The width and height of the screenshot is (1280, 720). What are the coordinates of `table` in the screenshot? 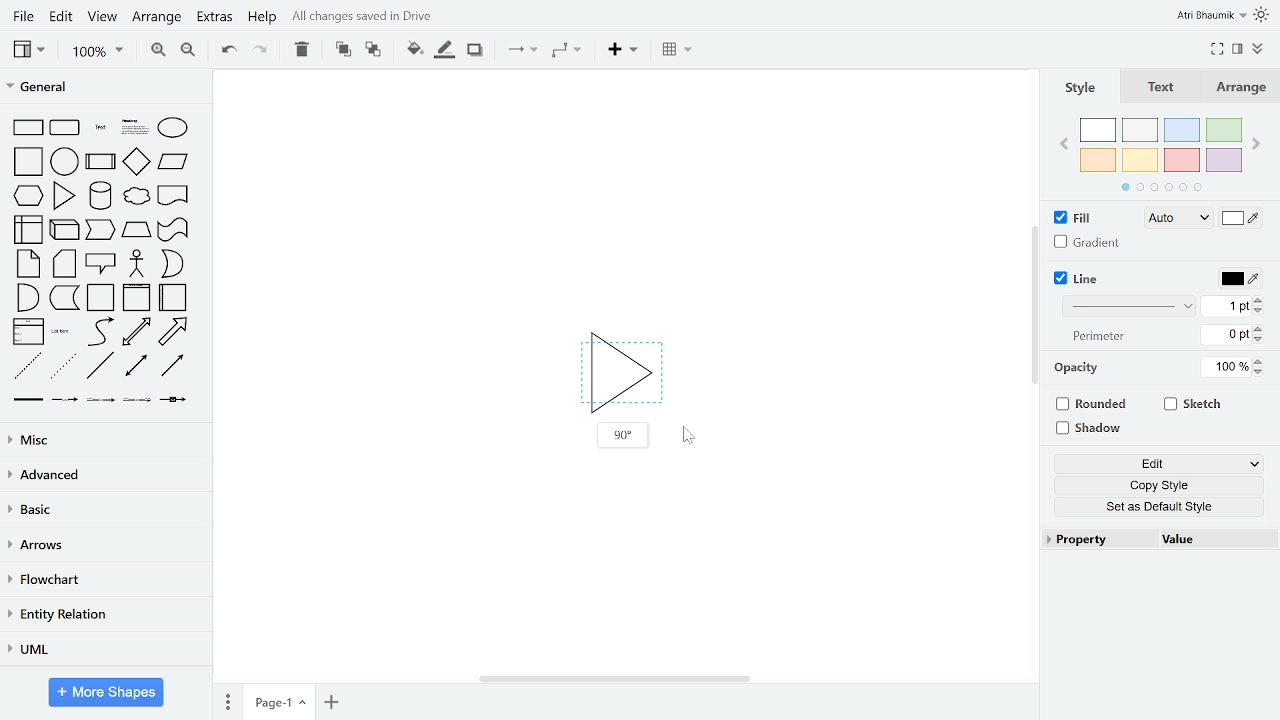 It's located at (678, 51).